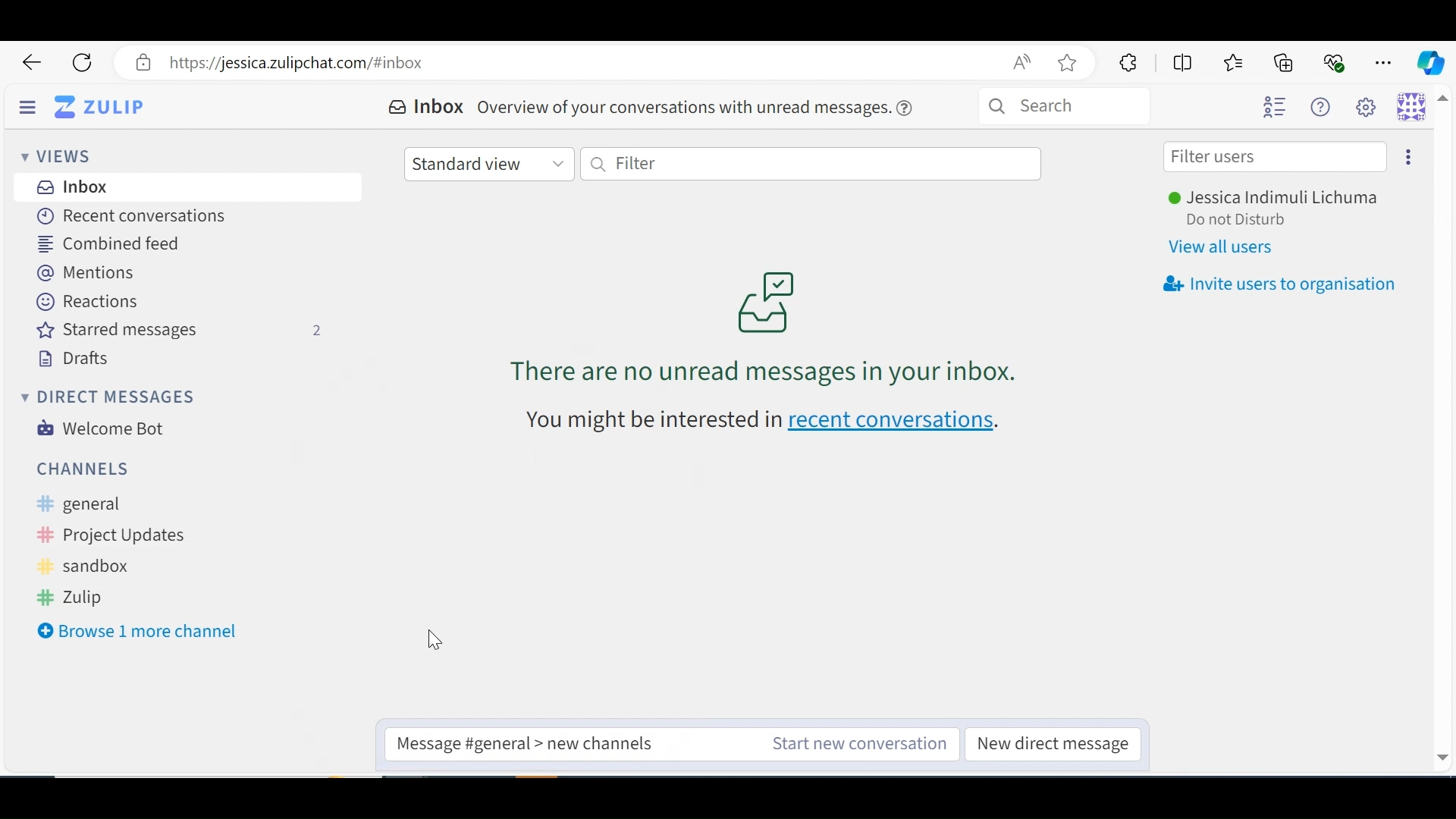  I want to click on Browse 1 more channel, so click(137, 627).